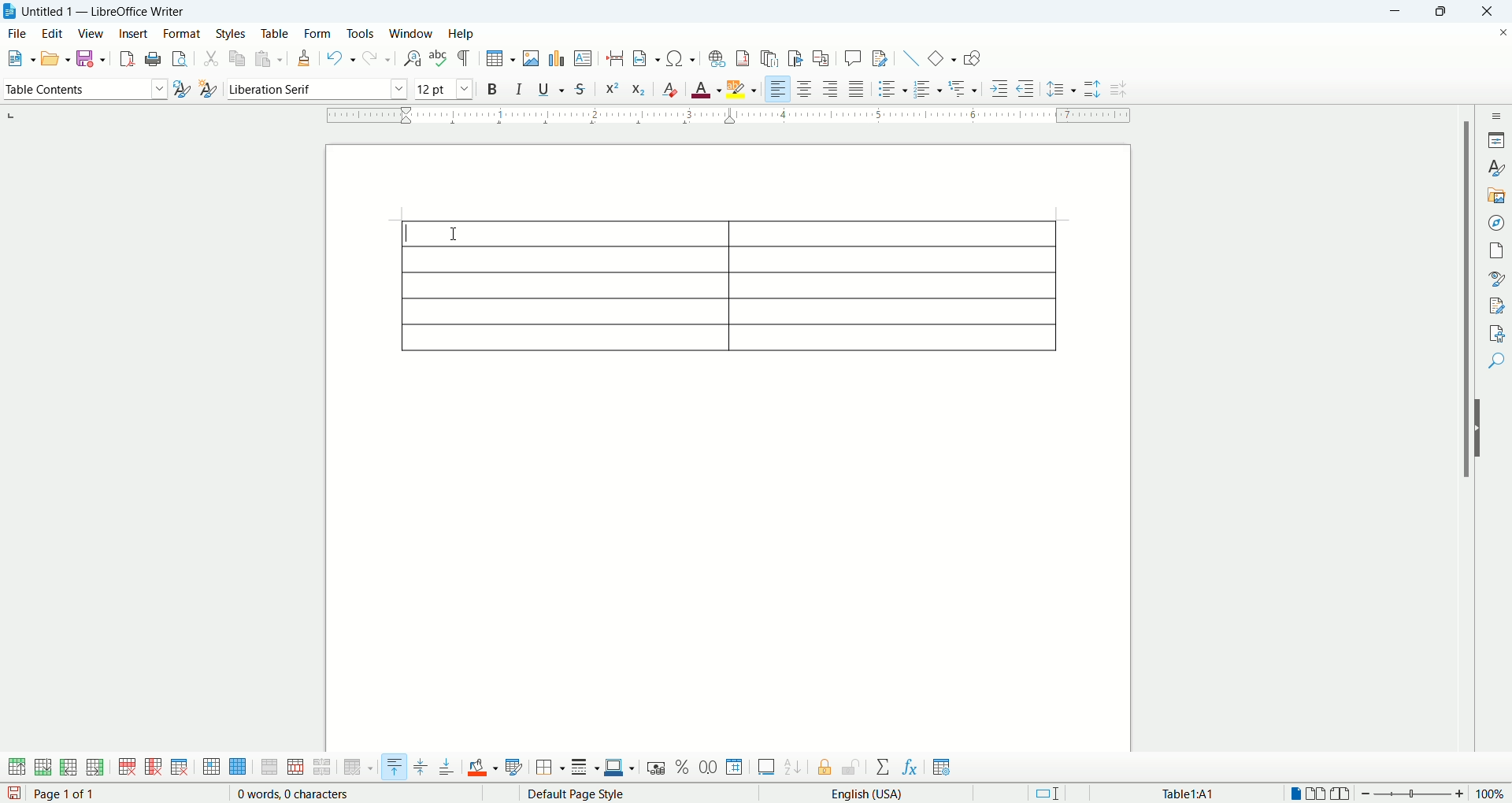 The height and width of the screenshot is (803, 1512). Describe the element at coordinates (90, 58) in the screenshot. I see `save` at that location.